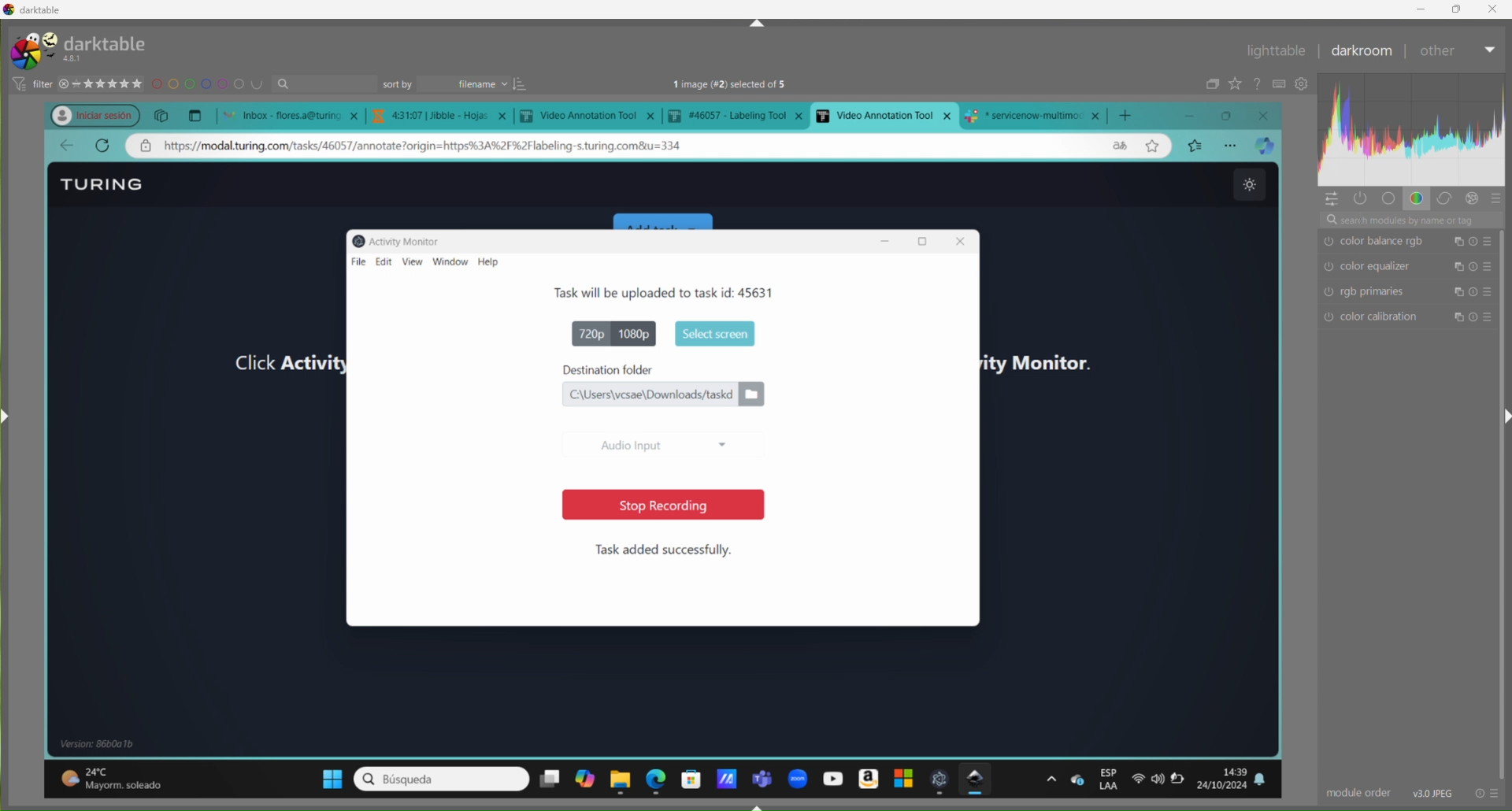  I want to click on zoom, so click(797, 776).